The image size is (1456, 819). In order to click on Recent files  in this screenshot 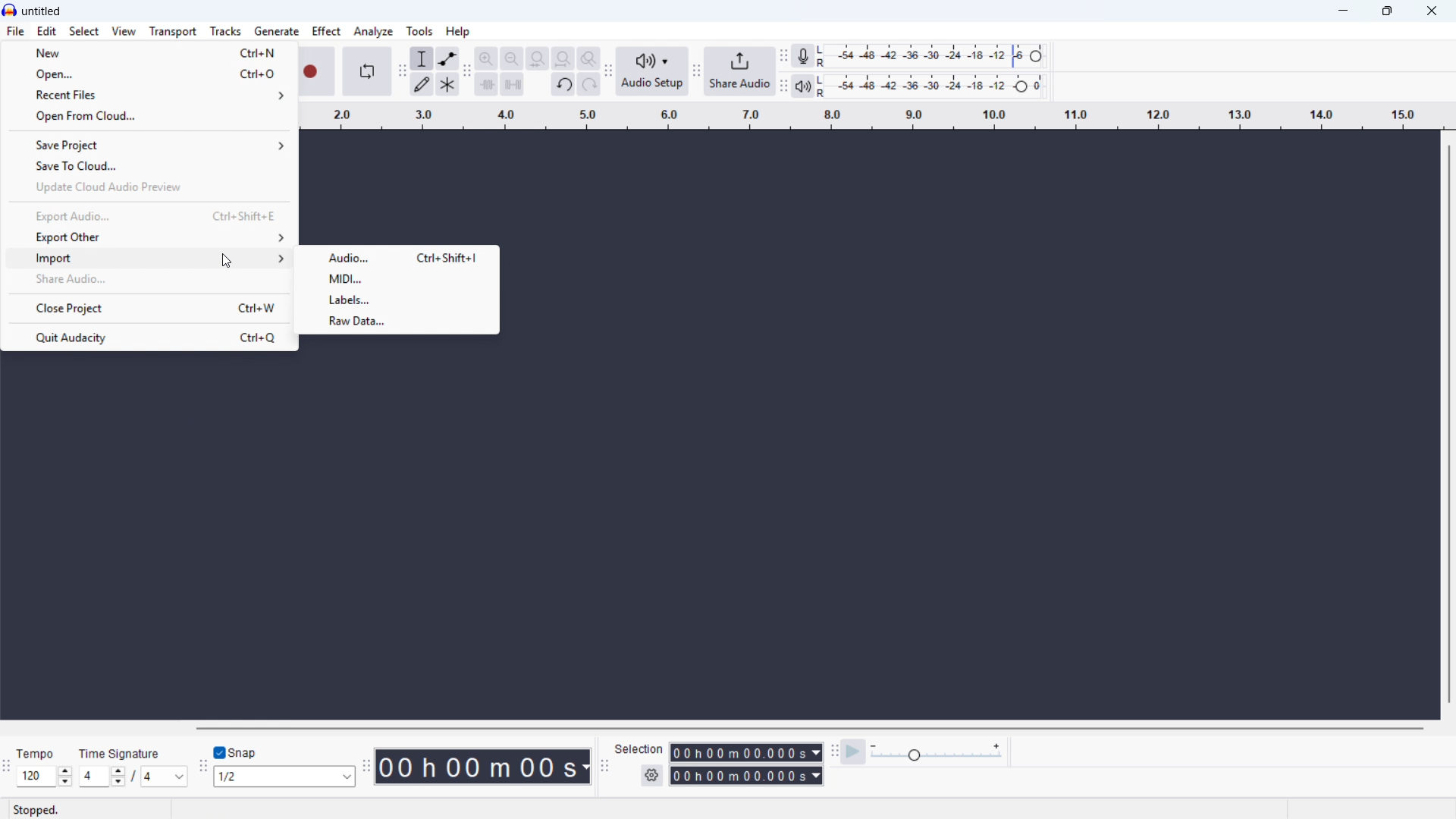, I will do `click(151, 95)`.